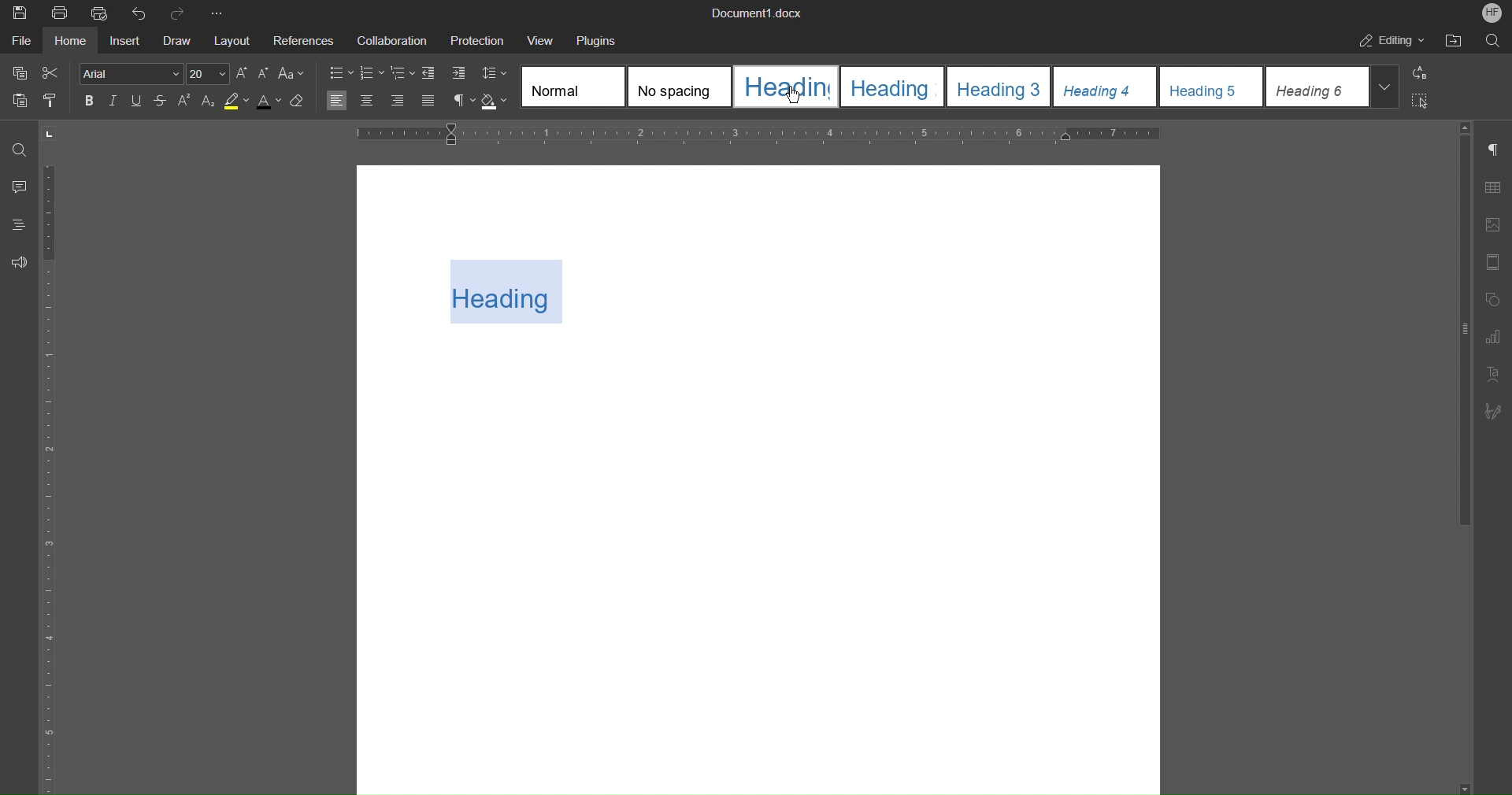  What do you see at coordinates (1388, 40) in the screenshot?
I see `Editing` at bounding box center [1388, 40].